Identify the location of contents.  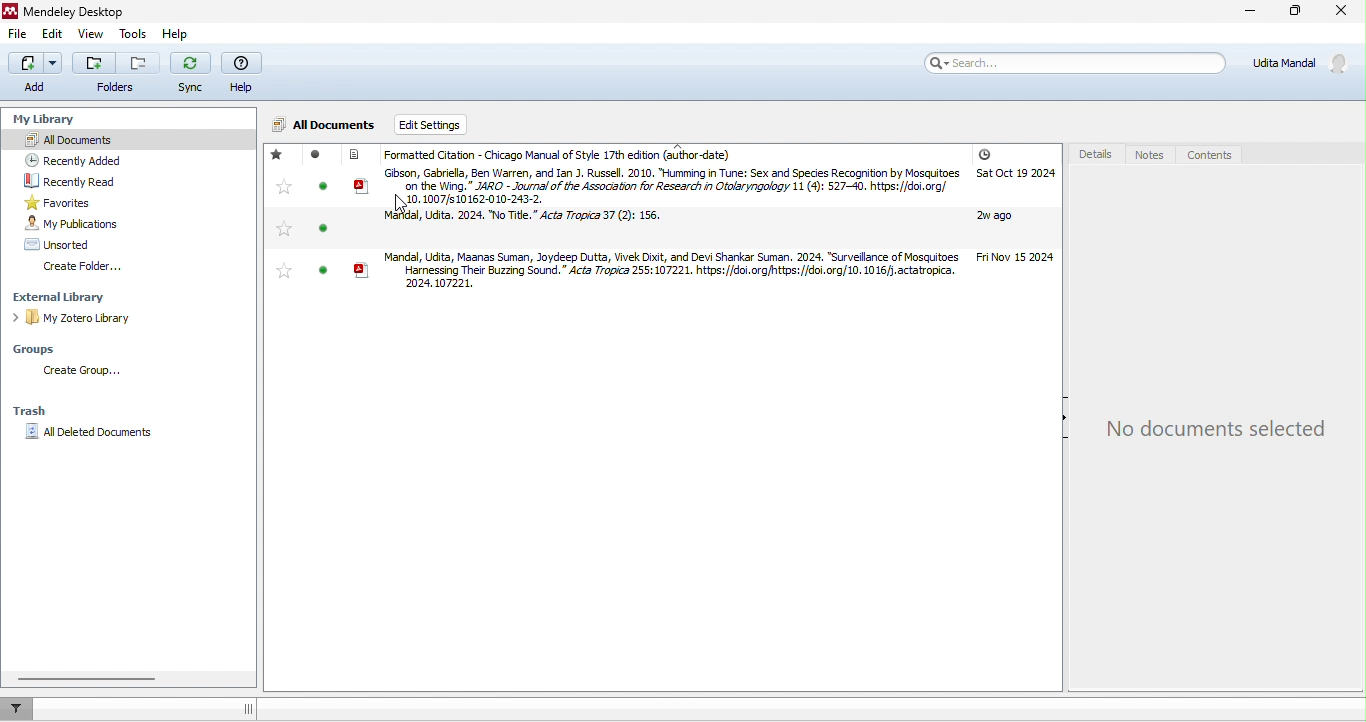
(1215, 153).